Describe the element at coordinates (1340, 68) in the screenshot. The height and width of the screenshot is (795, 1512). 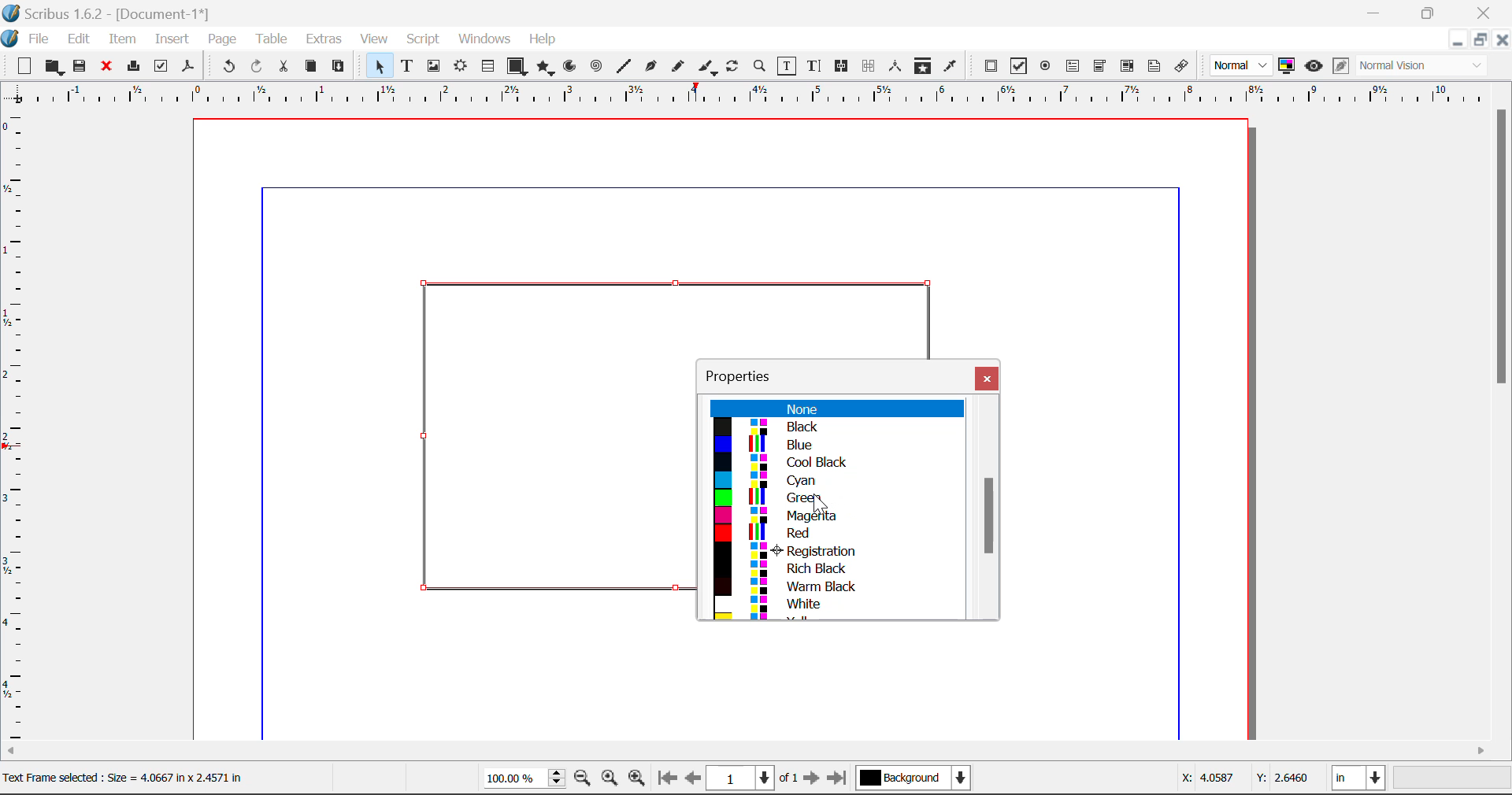
I see `Edit in Preview Mode` at that location.